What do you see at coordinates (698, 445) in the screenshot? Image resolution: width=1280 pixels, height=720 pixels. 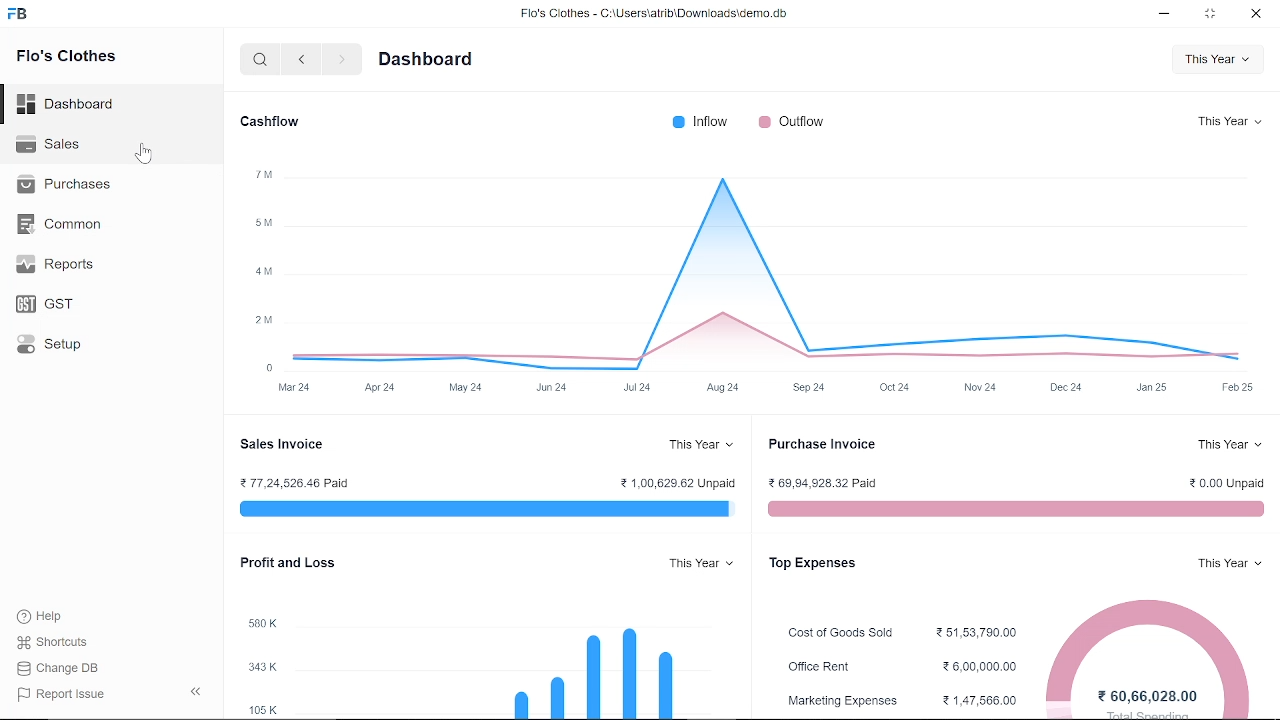 I see `This Year v` at bounding box center [698, 445].